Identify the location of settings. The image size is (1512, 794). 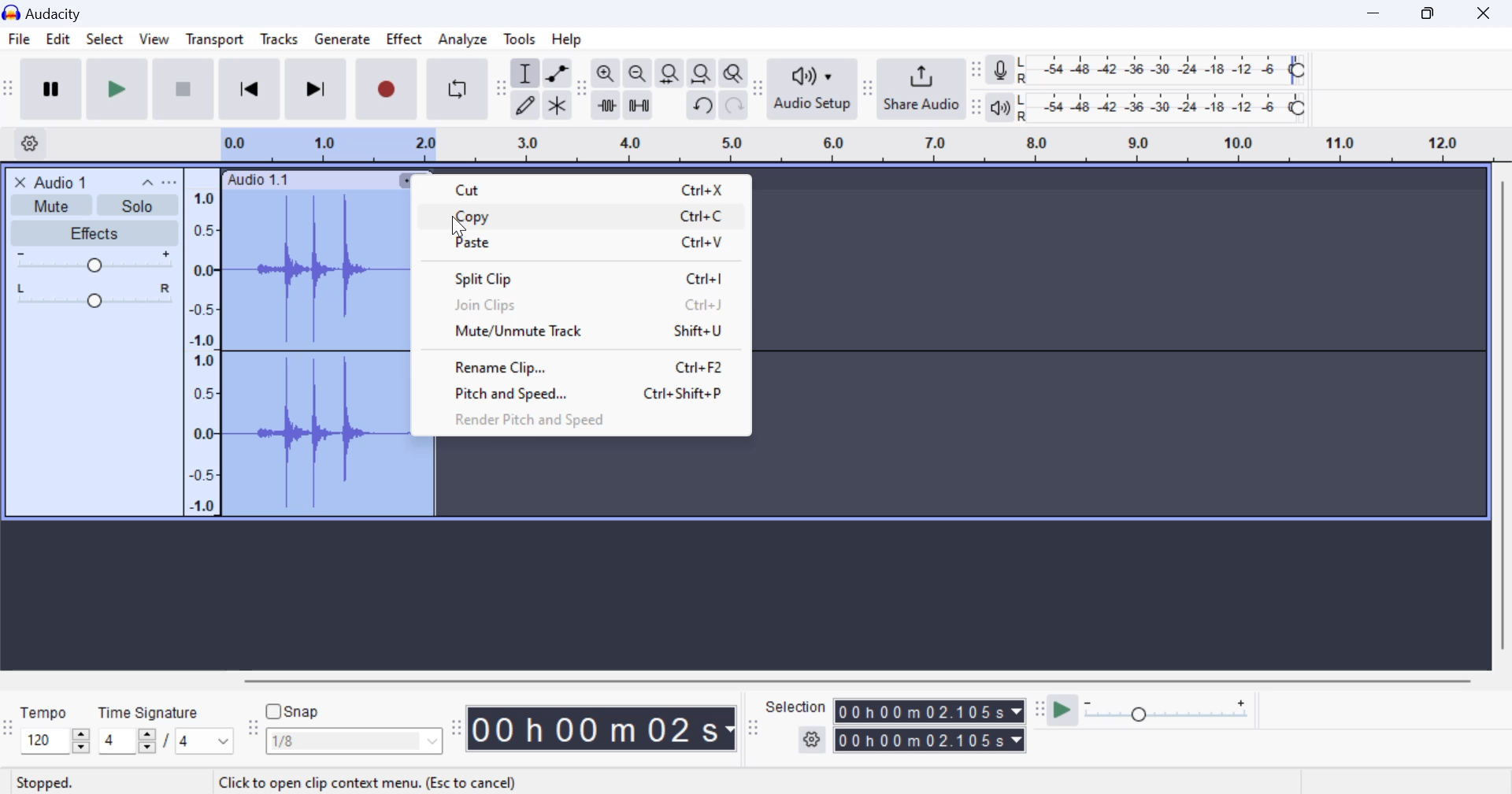
(813, 740).